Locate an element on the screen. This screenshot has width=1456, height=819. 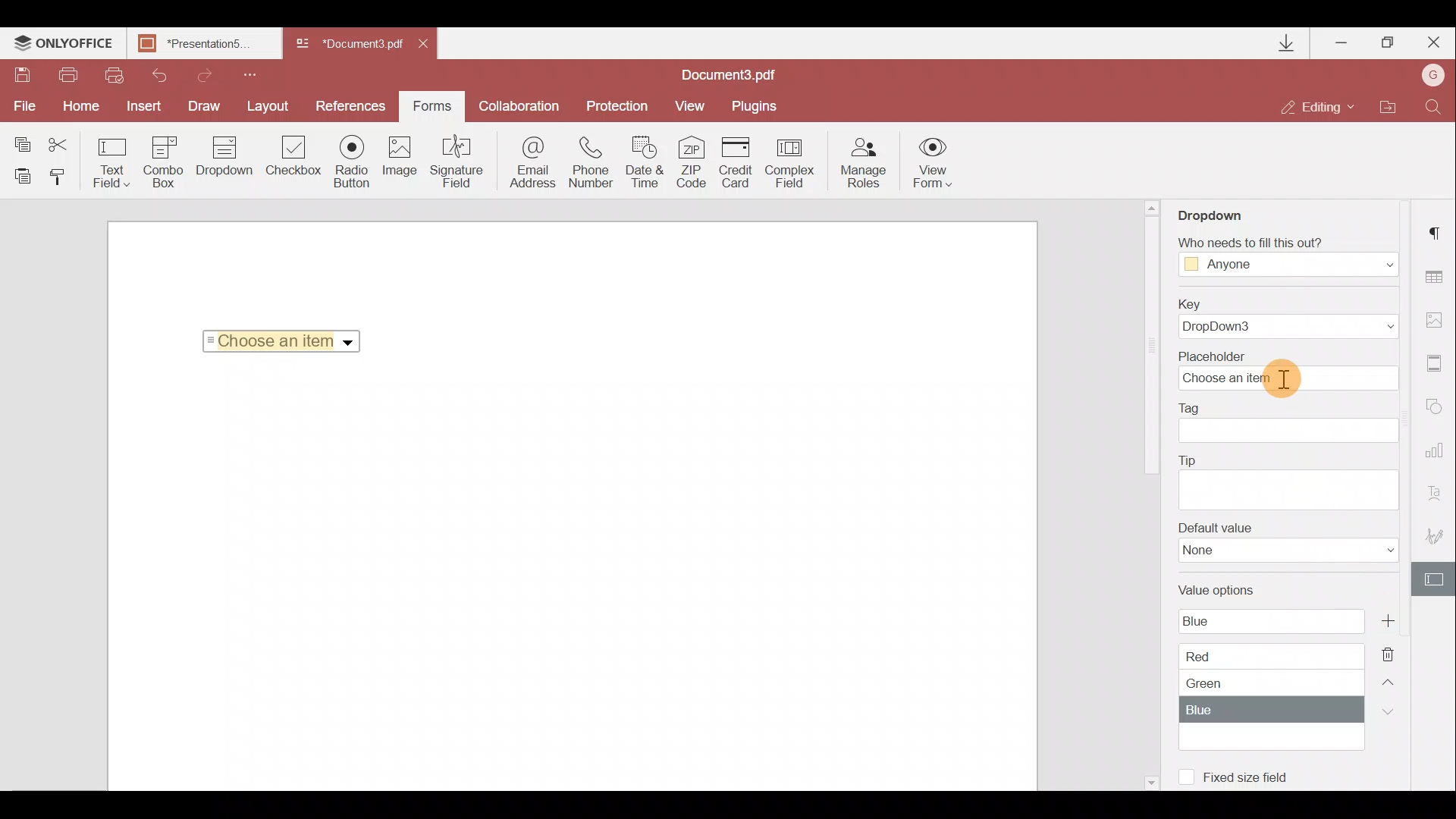
Text field is located at coordinates (109, 162).